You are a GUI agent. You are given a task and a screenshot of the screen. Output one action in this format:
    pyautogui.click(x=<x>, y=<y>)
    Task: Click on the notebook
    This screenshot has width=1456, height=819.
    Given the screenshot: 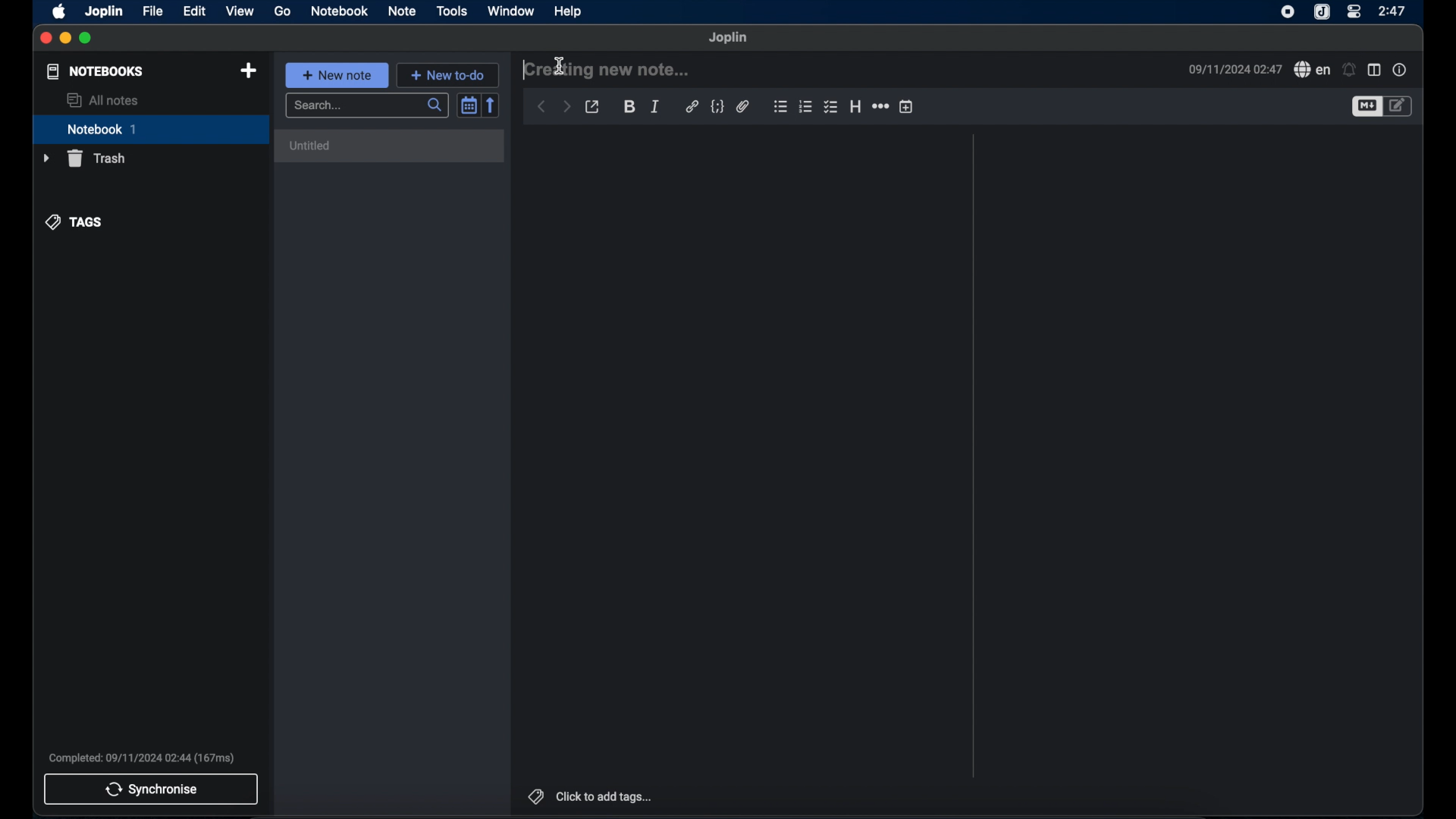 What is the action you would take?
    pyautogui.click(x=151, y=130)
    